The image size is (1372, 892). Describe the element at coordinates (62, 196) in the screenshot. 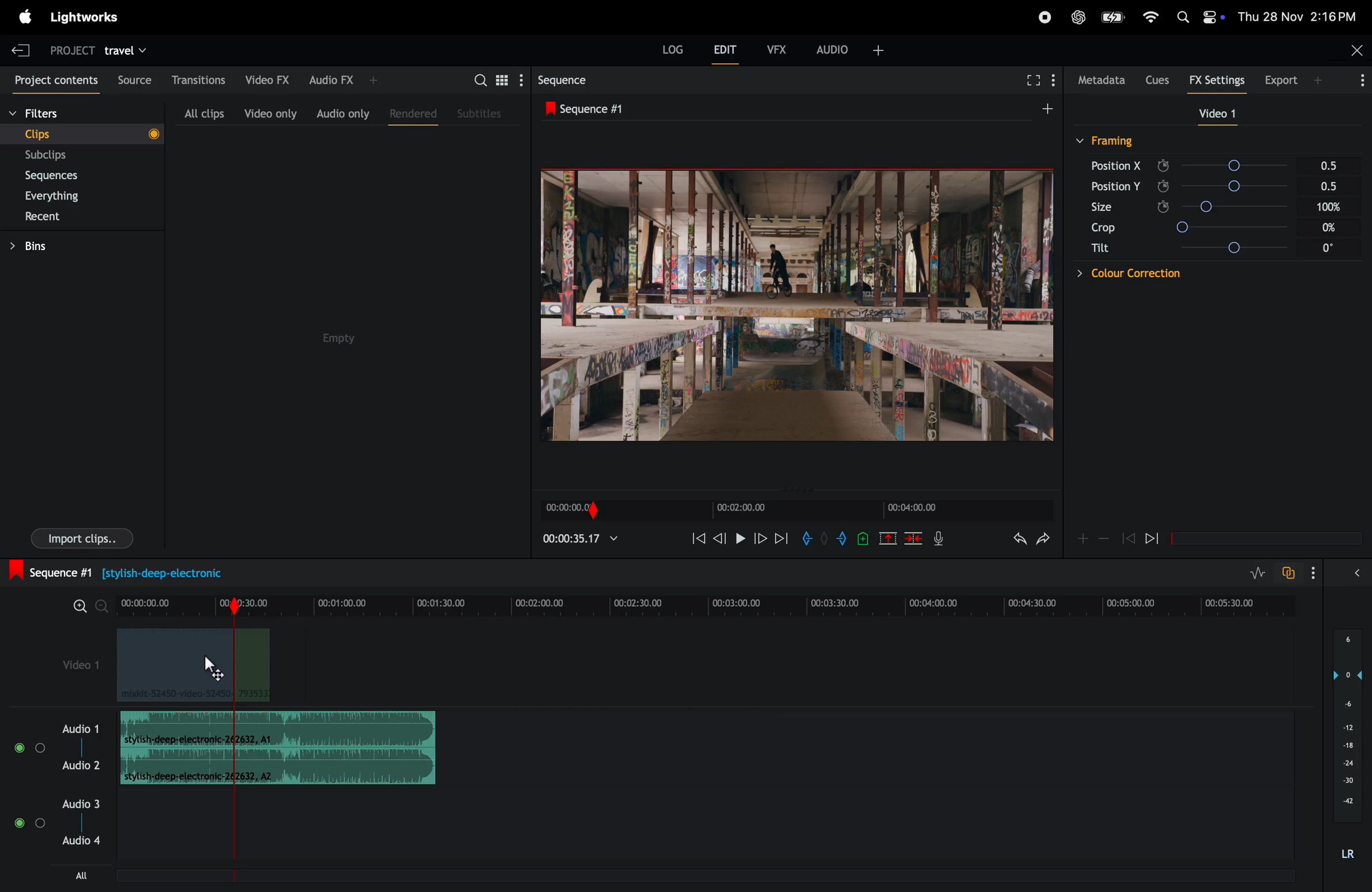

I see `everything` at that location.